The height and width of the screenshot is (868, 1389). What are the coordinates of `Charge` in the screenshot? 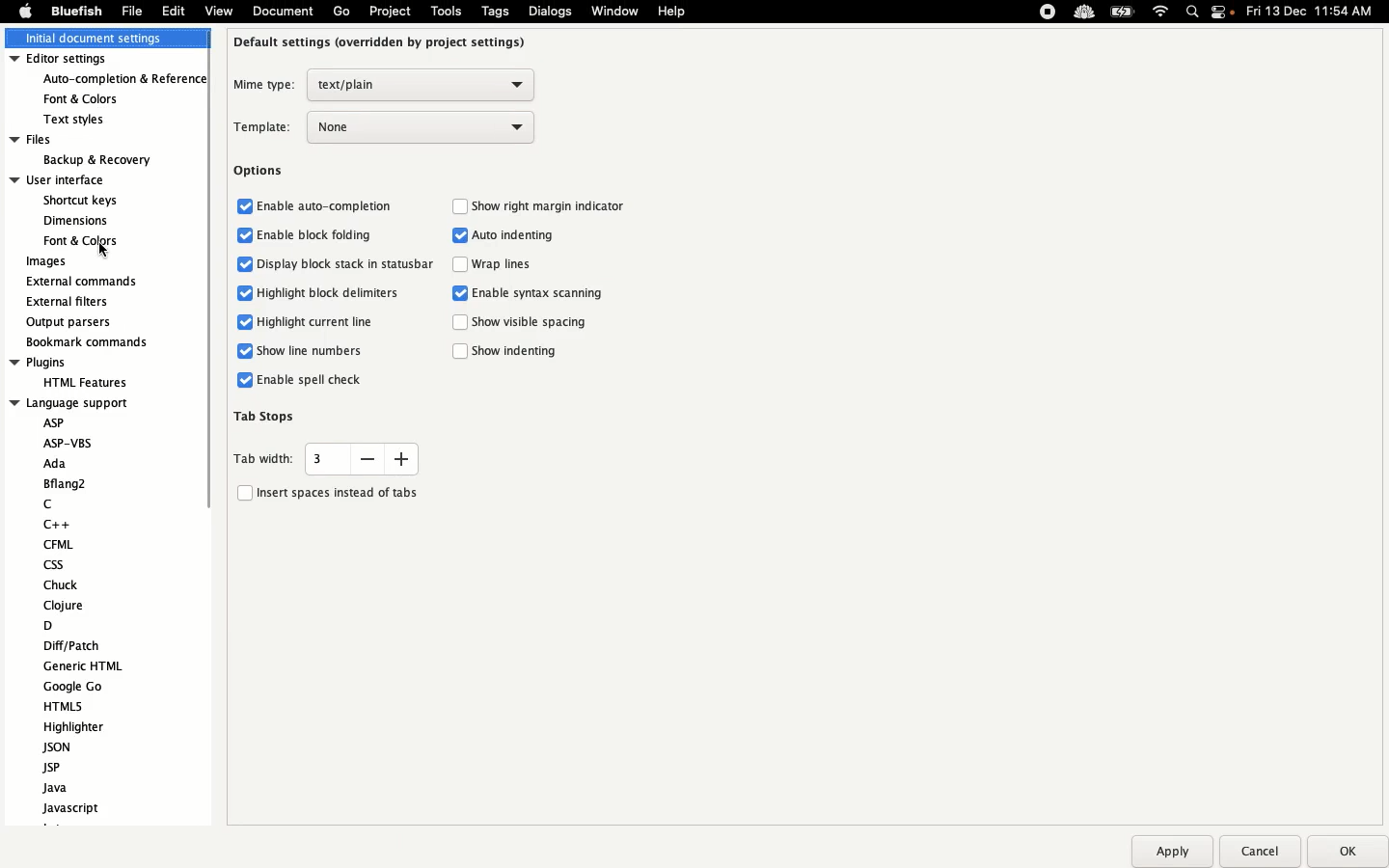 It's located at (1122, 14).